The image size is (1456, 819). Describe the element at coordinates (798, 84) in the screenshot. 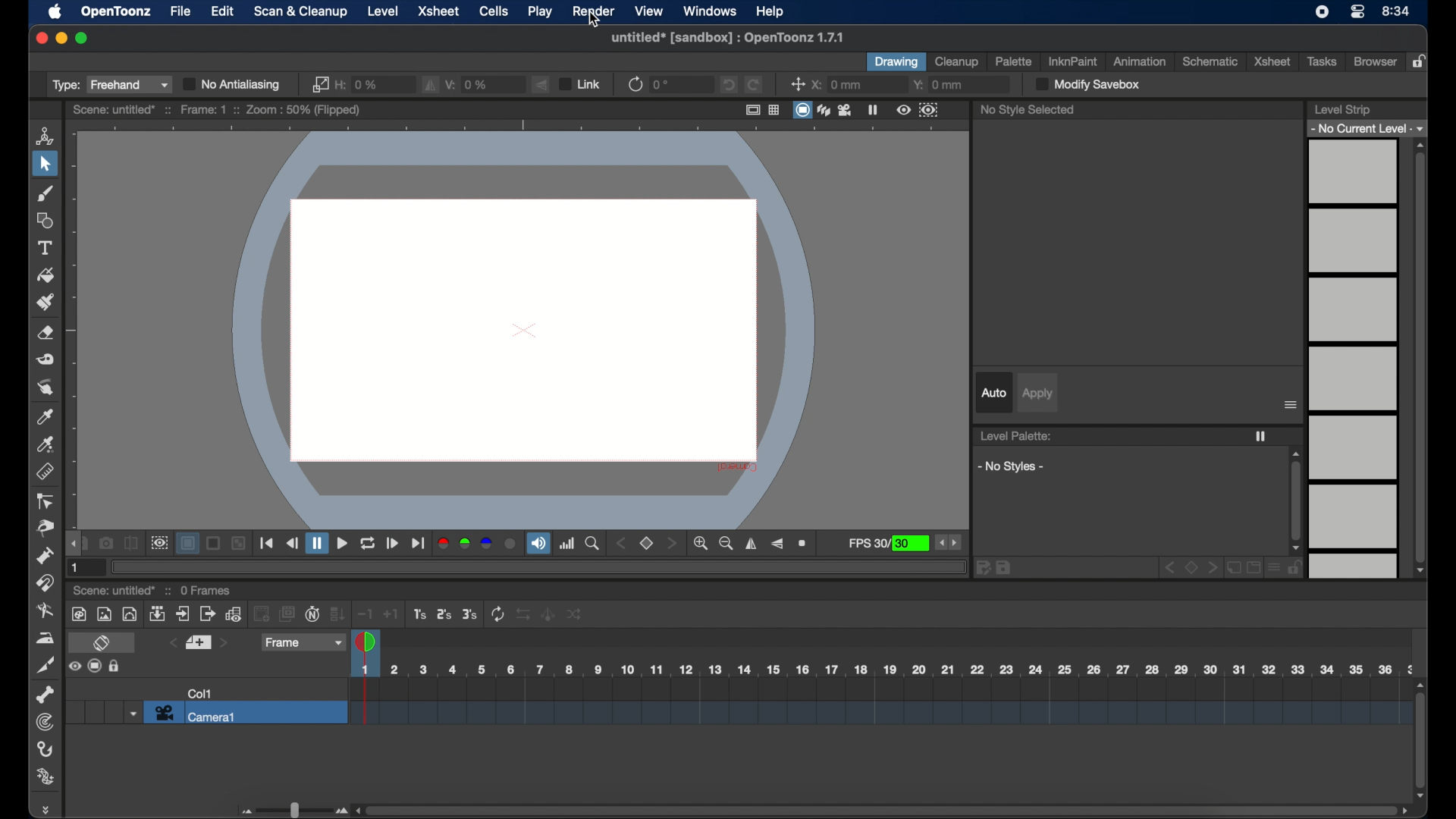

I see `center` at that location.